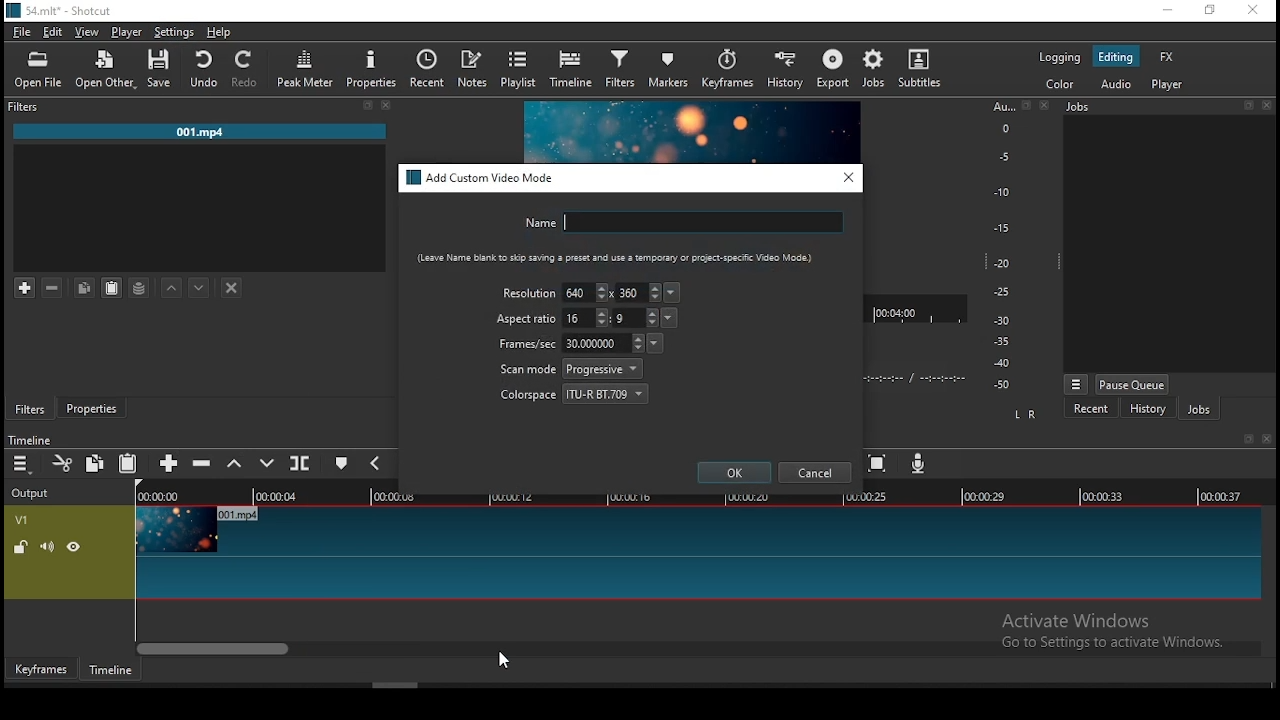 Image resolution: width=1280 pixels, height=720 pixels. What do you see at coordinates (1246, 440) in the screenshot?
I see `restore` at bounding box center [1246, 440].